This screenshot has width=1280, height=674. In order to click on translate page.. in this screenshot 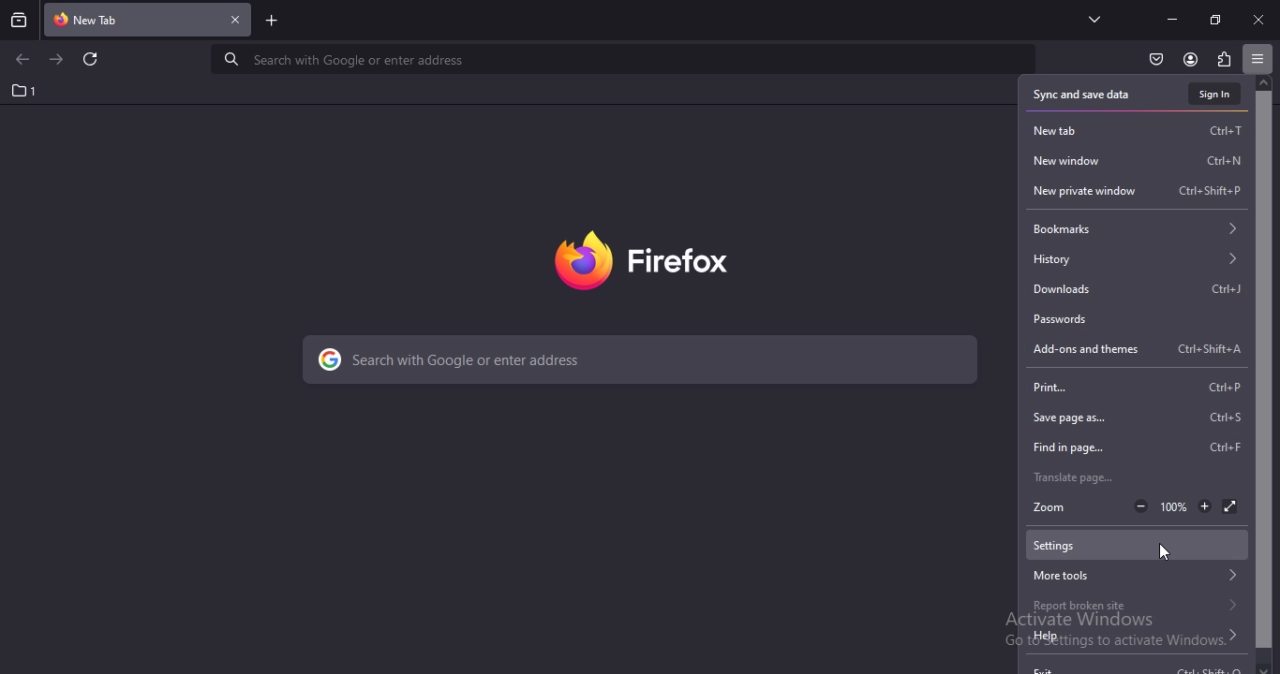, I will do `click(1086, 476)`.